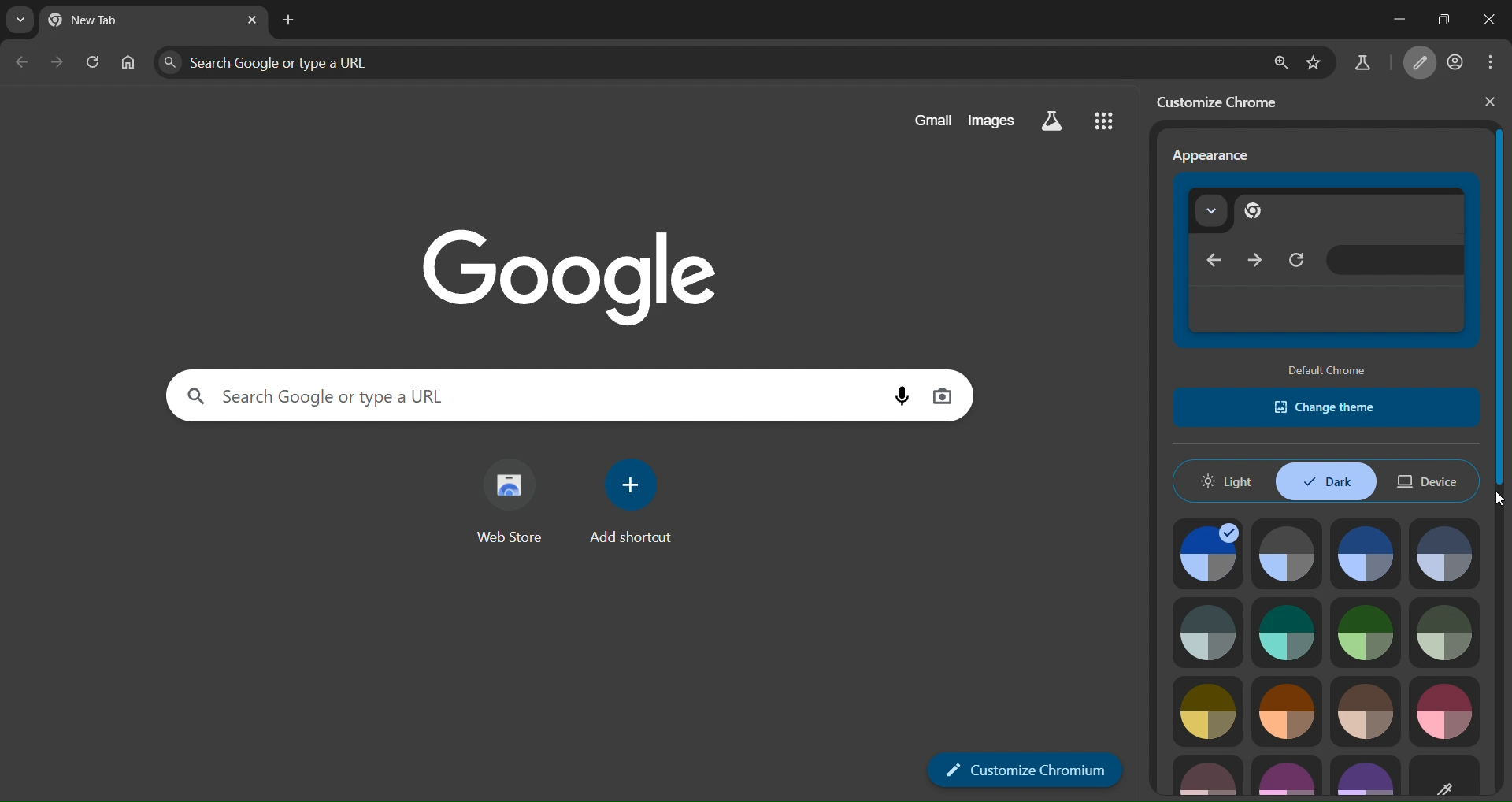  I want to click on device, so click(1432, 480).